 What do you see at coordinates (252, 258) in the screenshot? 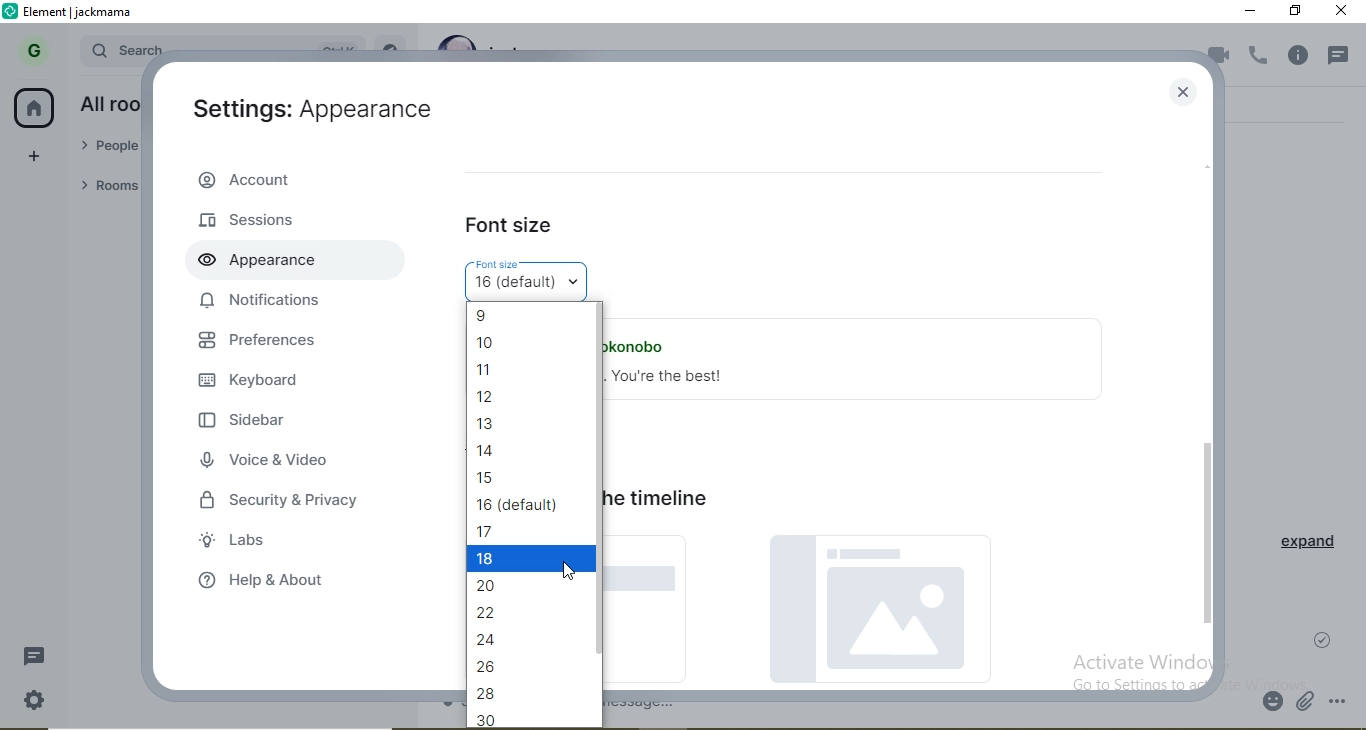
I see `appearance` at bounding box center [252, 258].